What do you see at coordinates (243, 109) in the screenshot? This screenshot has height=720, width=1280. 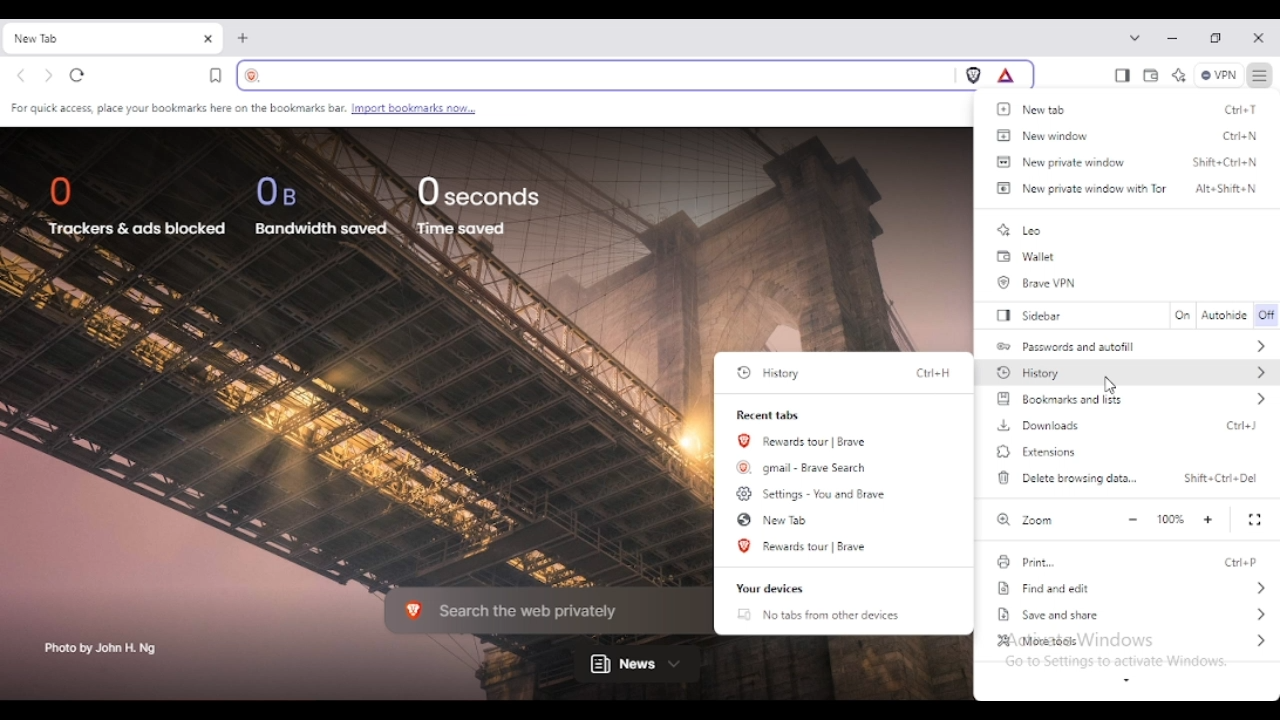 I see `bookmark settings` at bounding box center [243, 109].